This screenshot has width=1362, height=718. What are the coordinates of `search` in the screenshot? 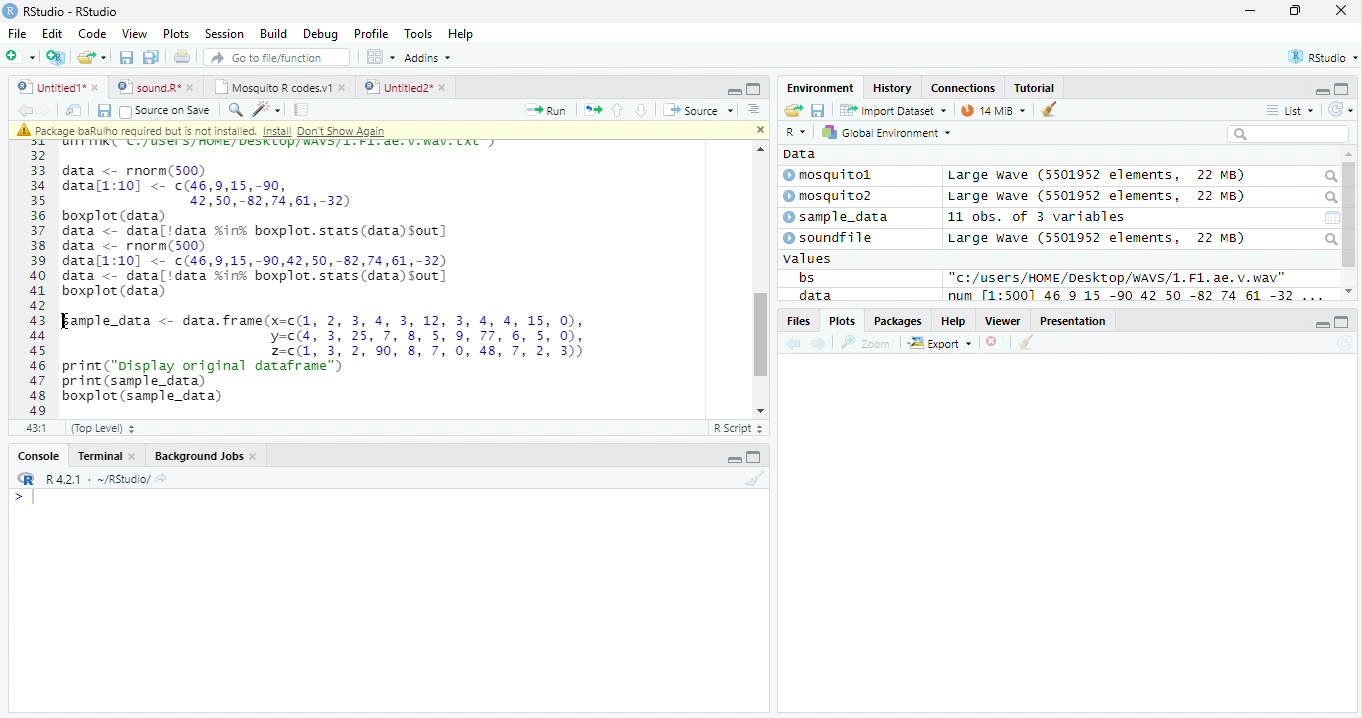 It's located at (1330, 239).